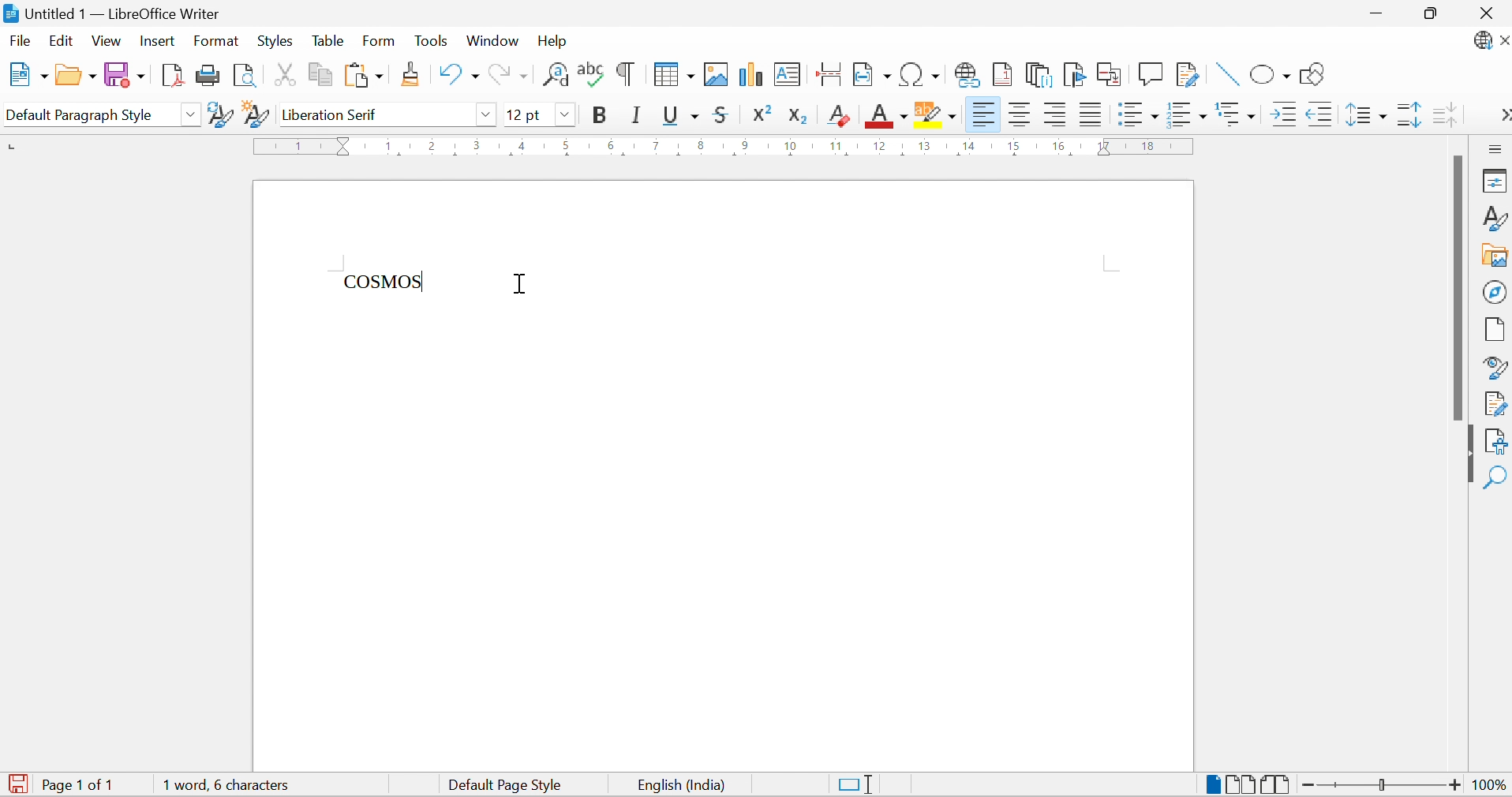 Image resolution: width=1512 pixels, height=797 pixels. Describe the element at coordinates (743, 146) in the screenshot. I see `9` at that location.